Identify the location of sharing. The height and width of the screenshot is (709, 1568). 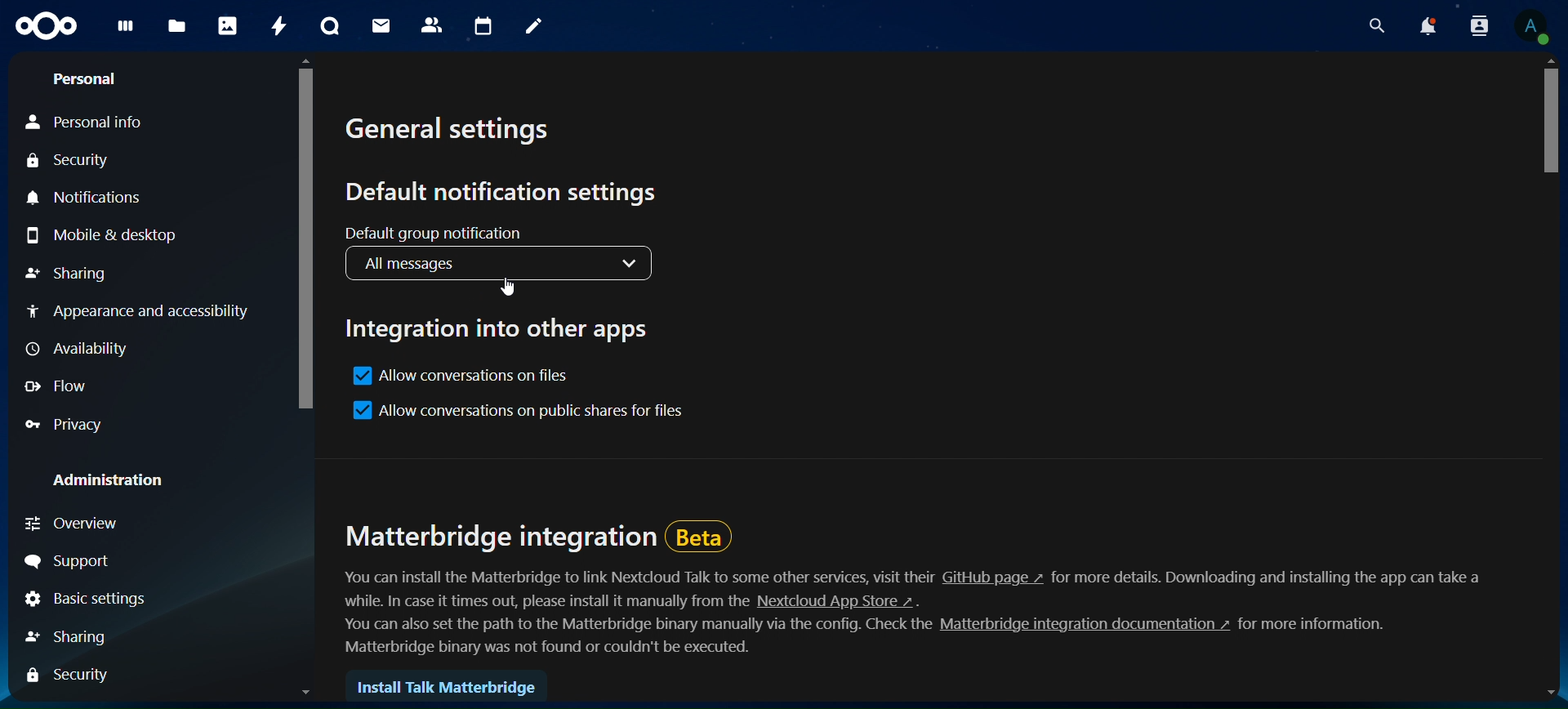
(73, 274).